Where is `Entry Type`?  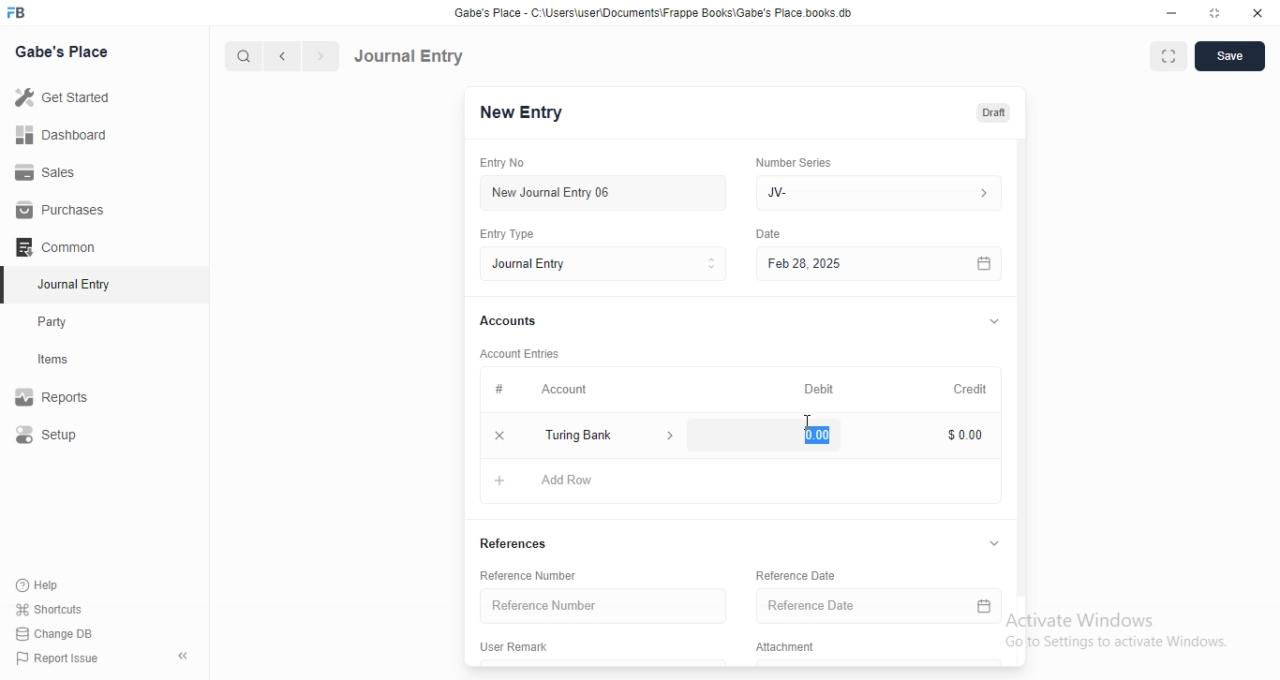 Entry Type is located at coordinates (514, 233).